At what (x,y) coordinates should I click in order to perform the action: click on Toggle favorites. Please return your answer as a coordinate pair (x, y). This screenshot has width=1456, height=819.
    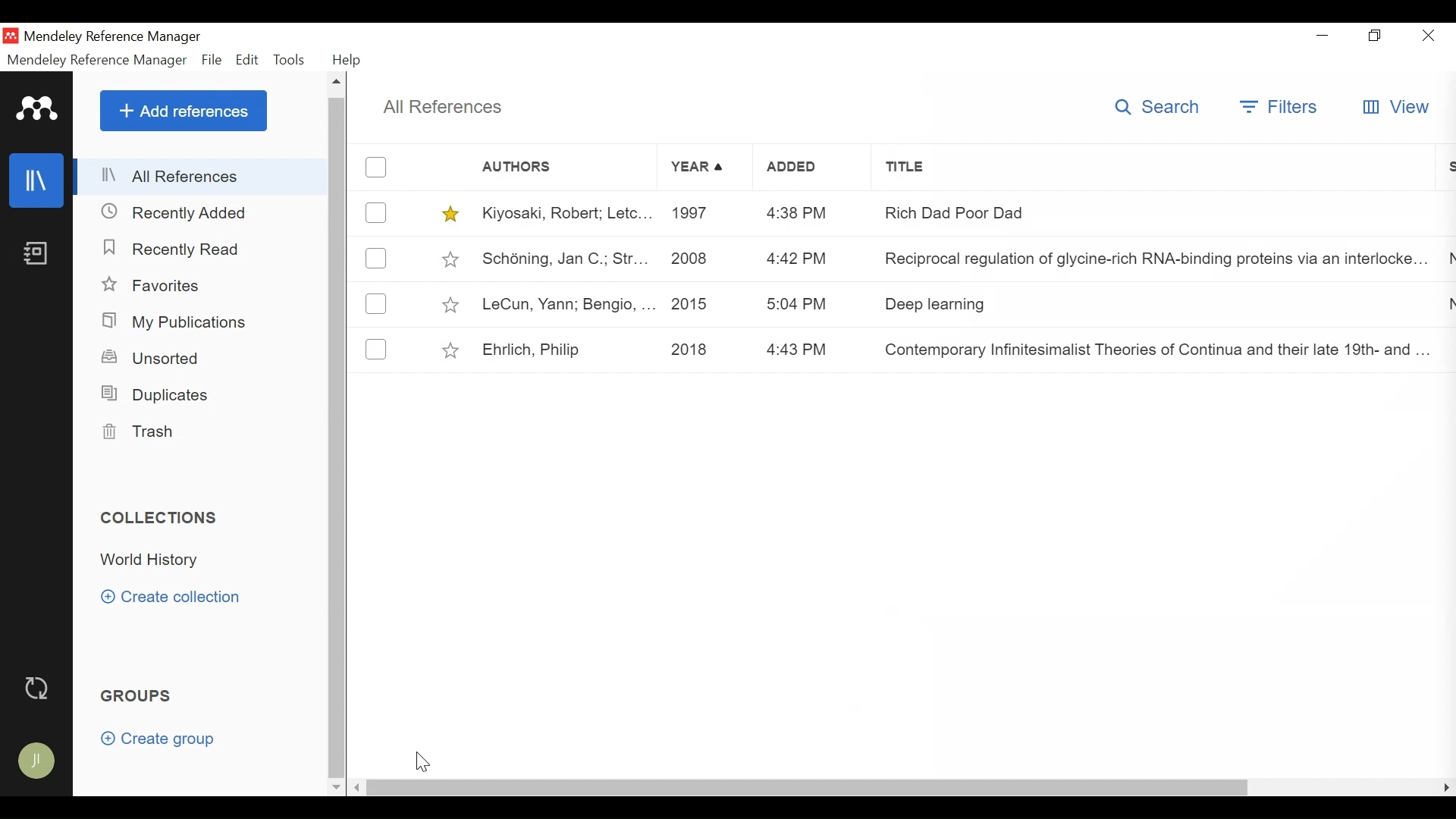
    Looking at the image, I should click on (453, 260).